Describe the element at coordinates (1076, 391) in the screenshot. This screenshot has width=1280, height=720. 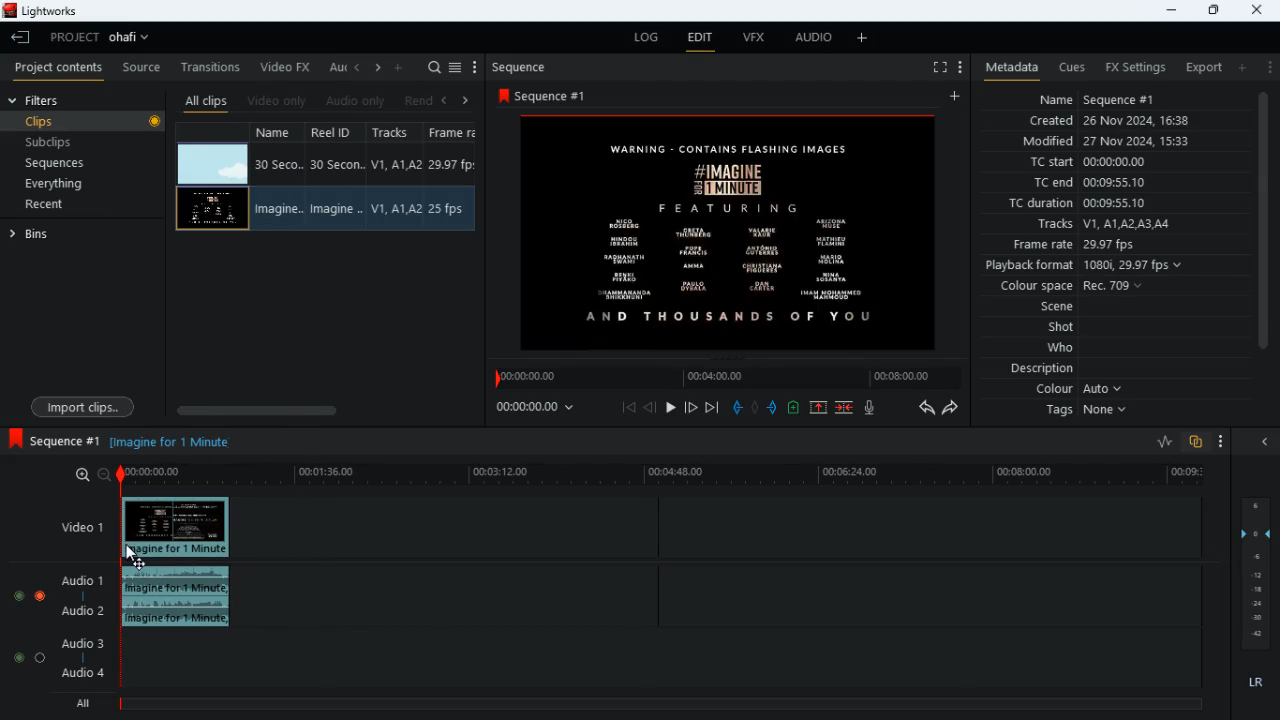
I see `colour` at that location.